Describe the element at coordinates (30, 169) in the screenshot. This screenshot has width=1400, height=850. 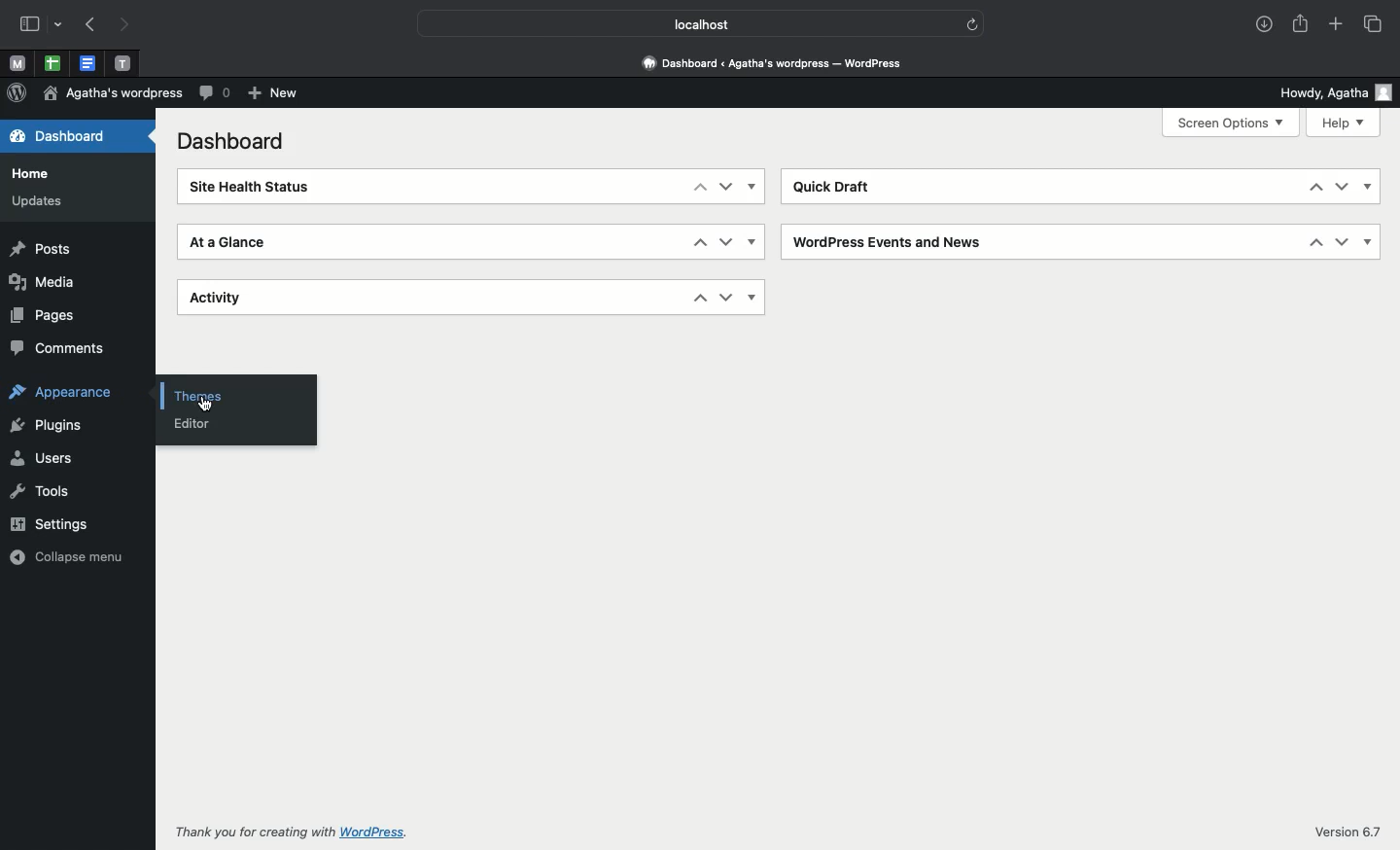
I see `Home` at that location.